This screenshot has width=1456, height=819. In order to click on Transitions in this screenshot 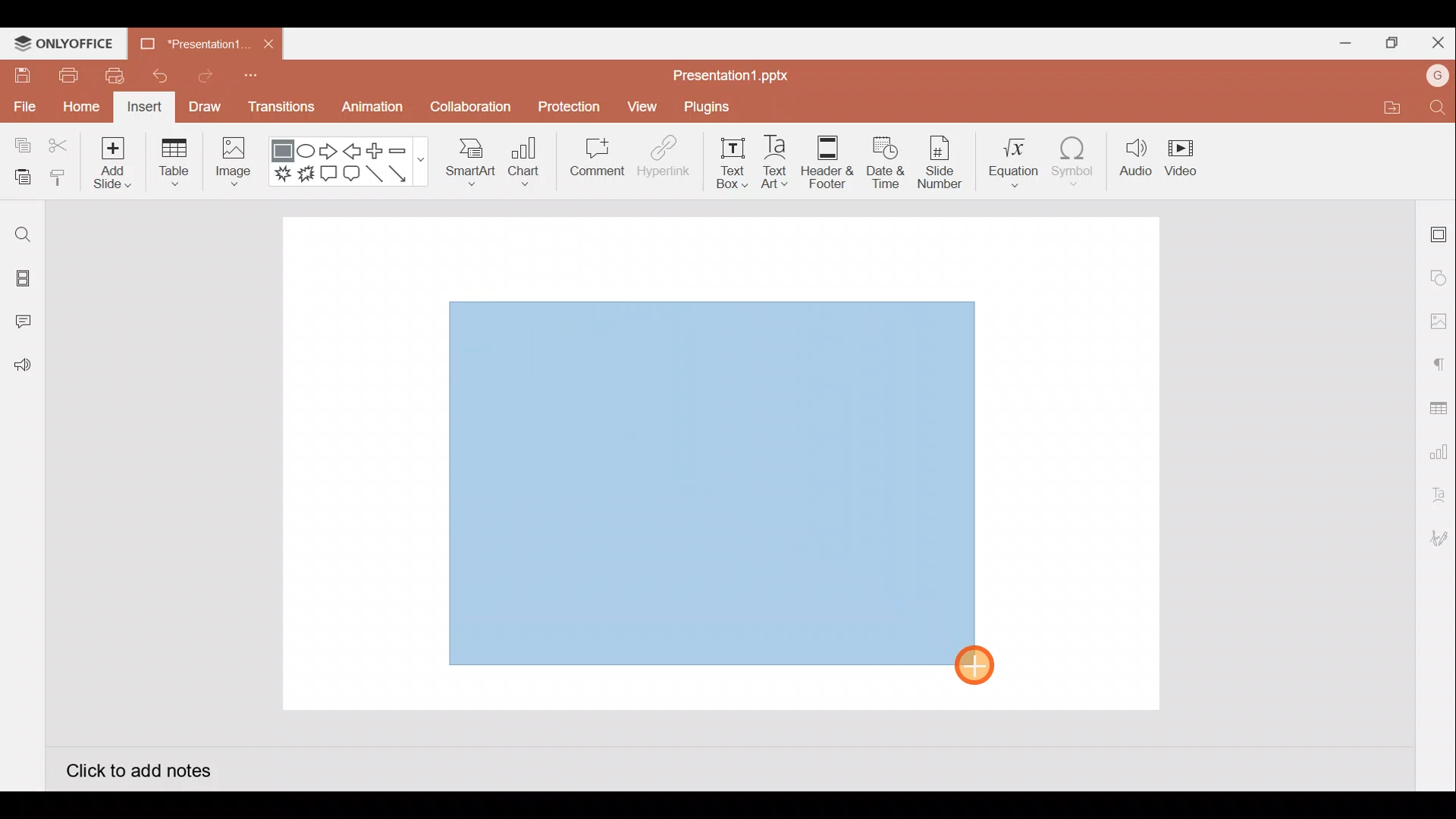, I will do `click(282, 111)`.